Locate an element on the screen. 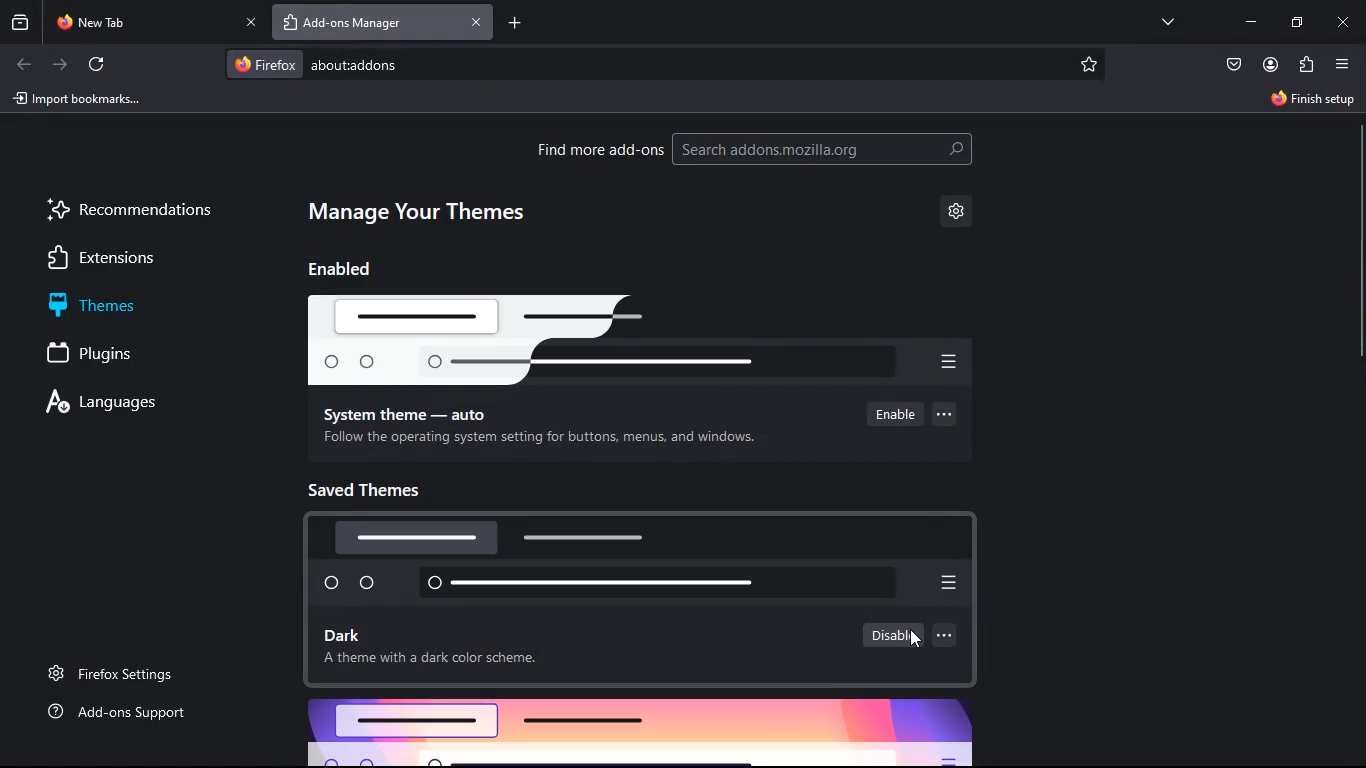 This screenshot has height=768, width=1366. history is located at coordinates (20, 25).